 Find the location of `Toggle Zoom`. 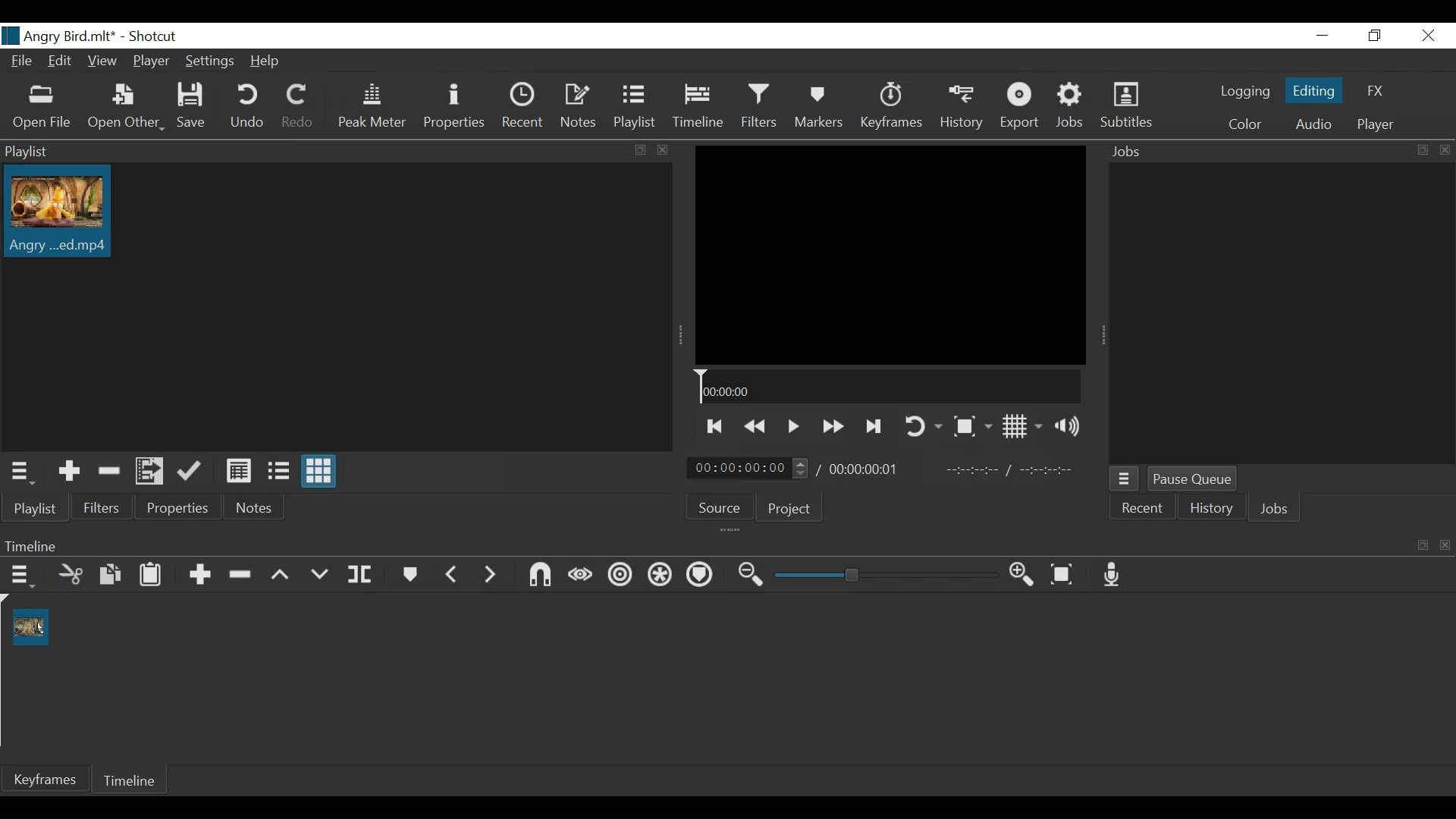

Toggle Zoom is located at coordinates (971, 425).